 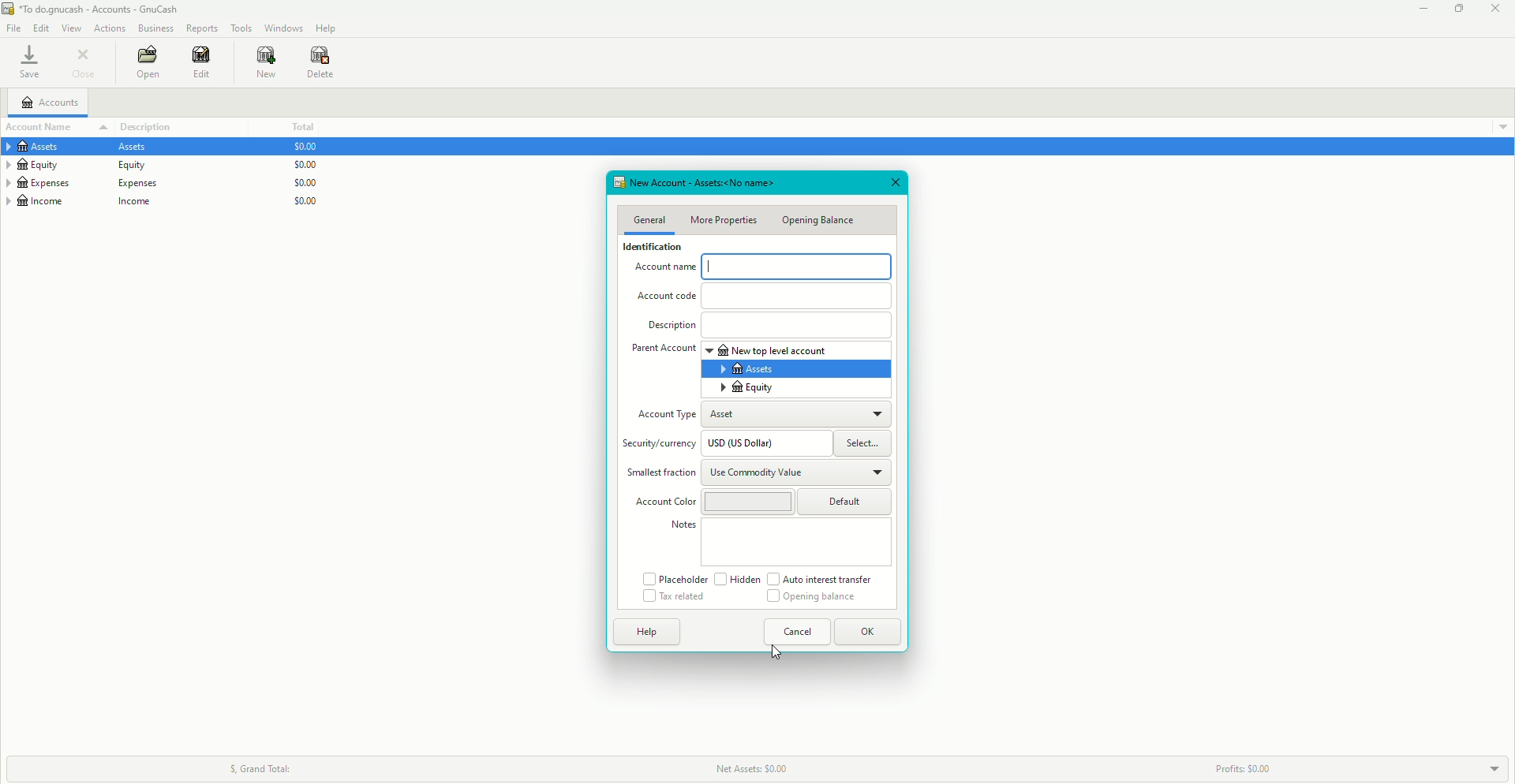 What do you see at coordinates (797, 543) in the screenshot?
I see `Typing box for notes` at bounding box center [797, 543].